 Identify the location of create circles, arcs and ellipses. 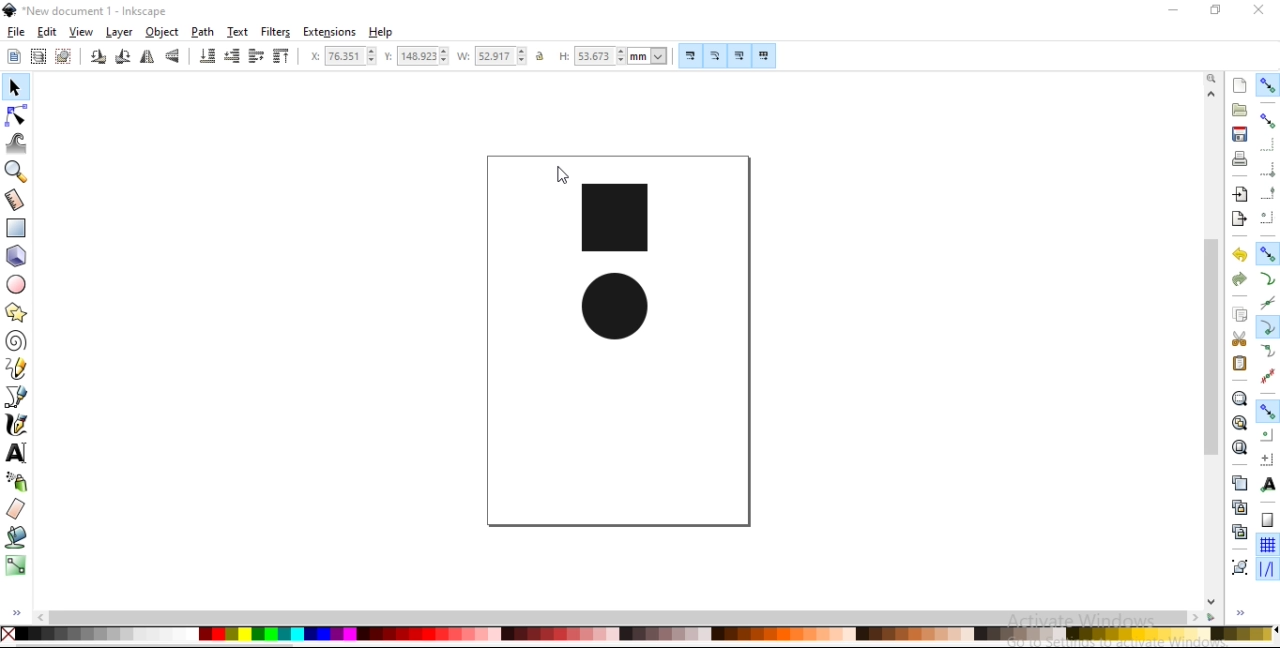
(18, 285).